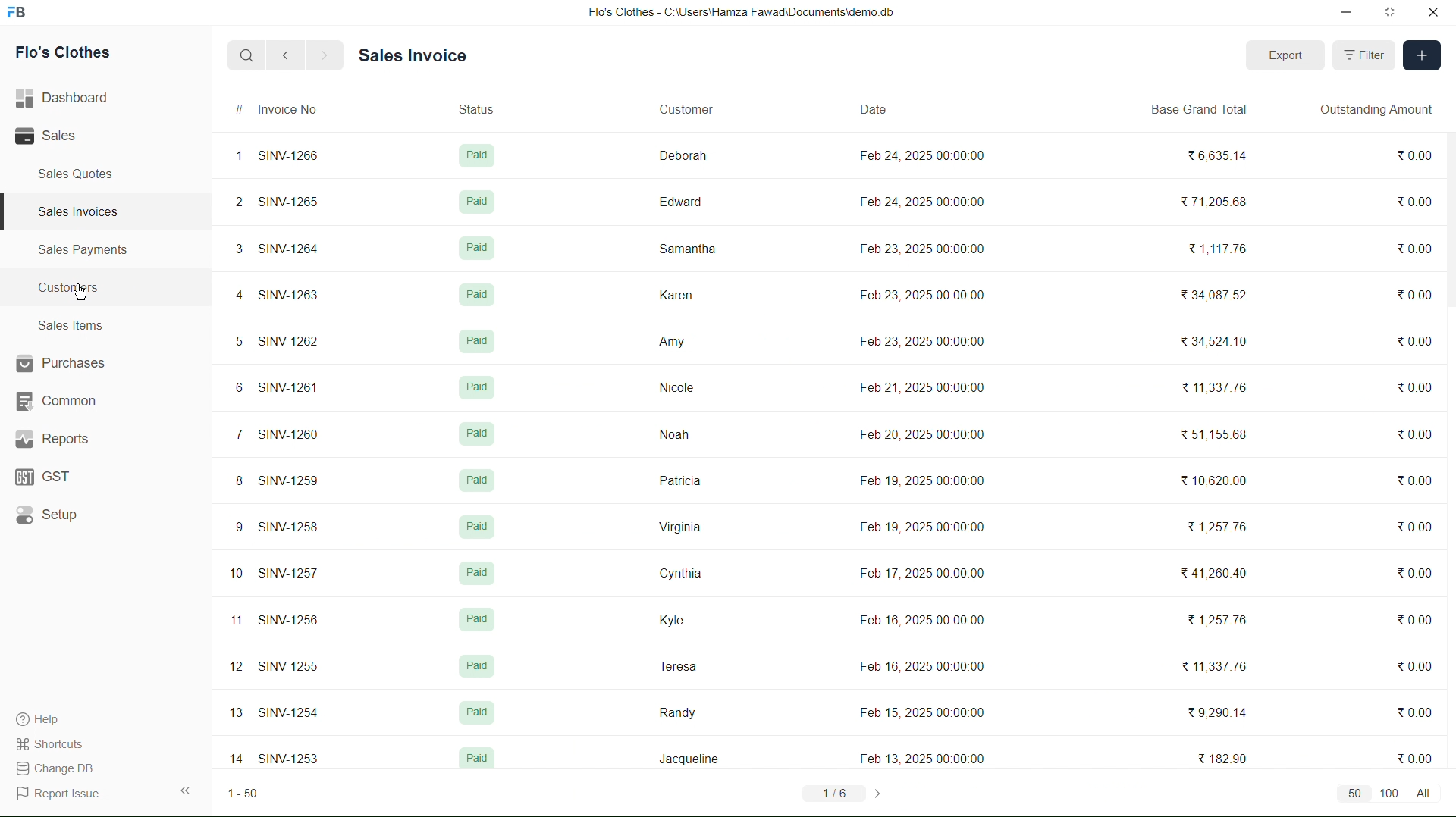  Describe the element at coordinates (1423, 57) in the screenshot. I see `Add new entry` at that location.